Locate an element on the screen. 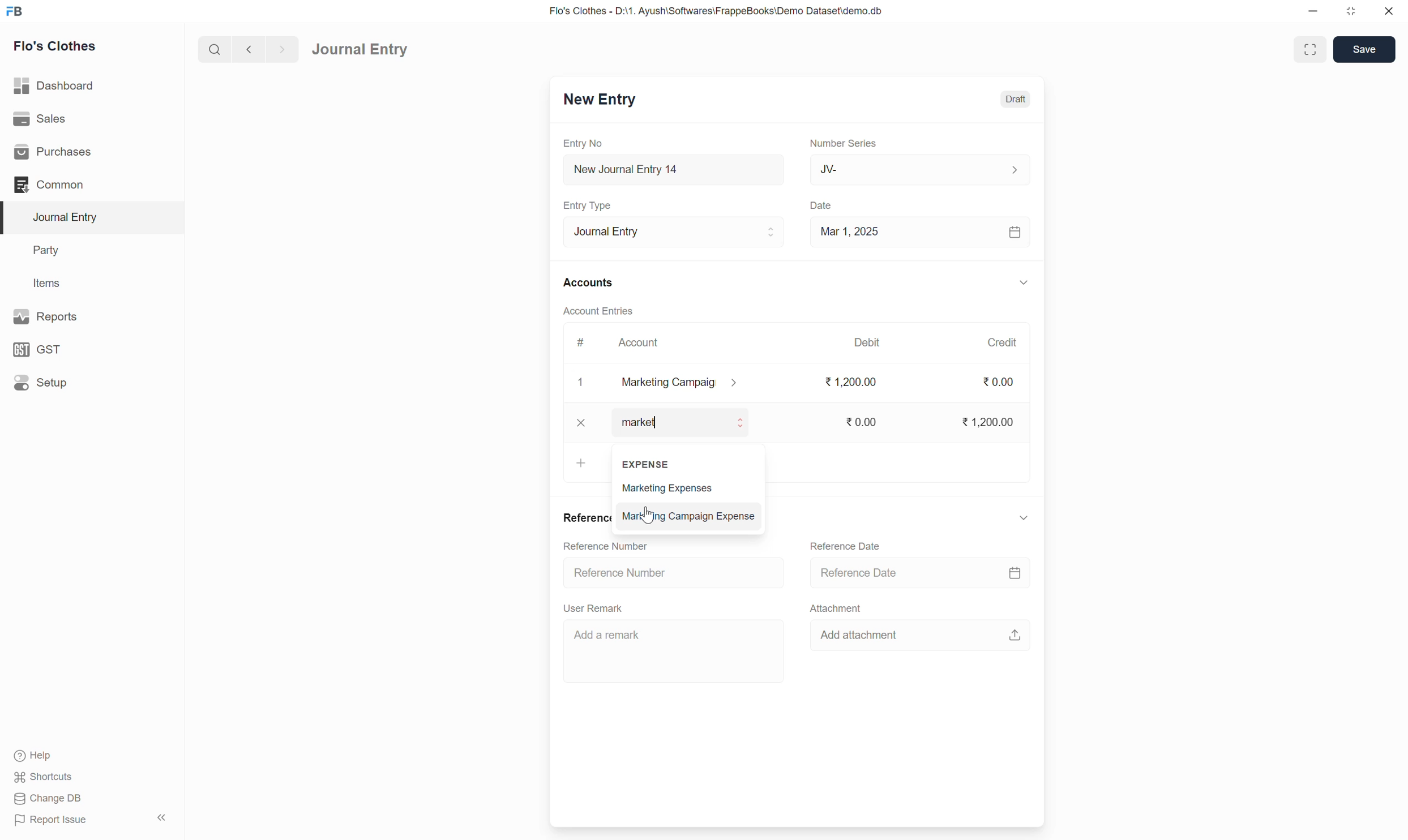 The width and height of the screenshot is (1408, 840). Account is located at coordinates (640, 342).